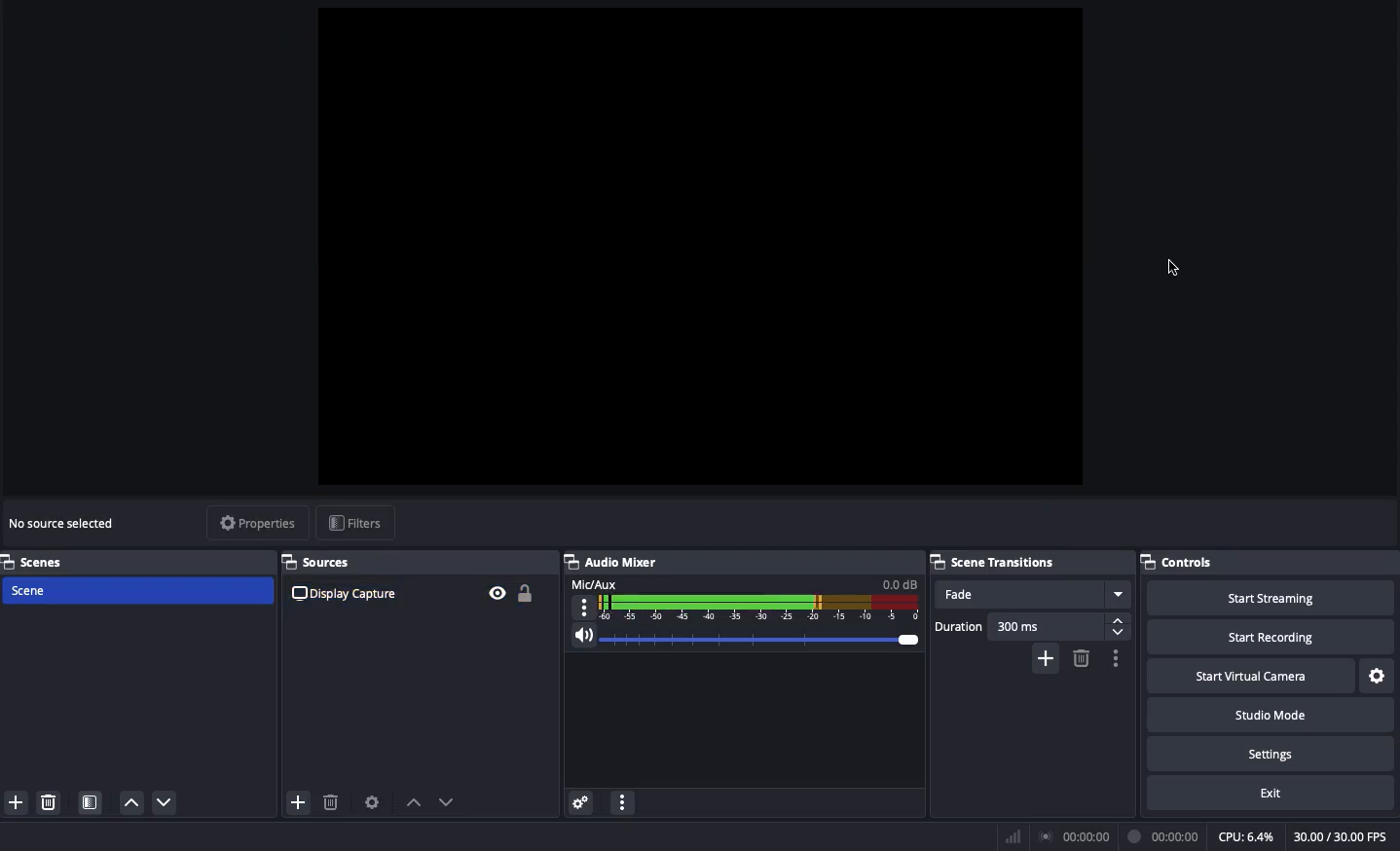  What do you see at coordinates (996, 562) in the screenshot?
I see `Scene transition` at bounding box center [996, 562].